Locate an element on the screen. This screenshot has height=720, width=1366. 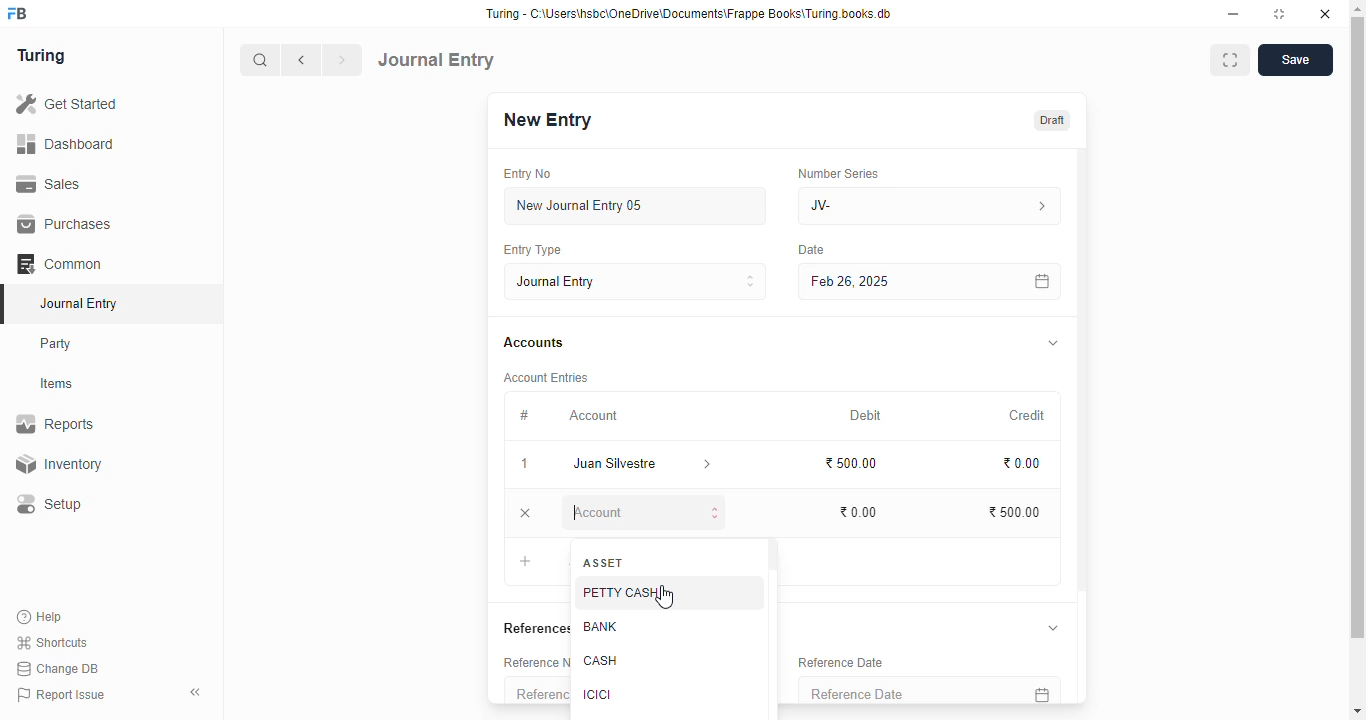
draft is located at coordinates (1050, 120).